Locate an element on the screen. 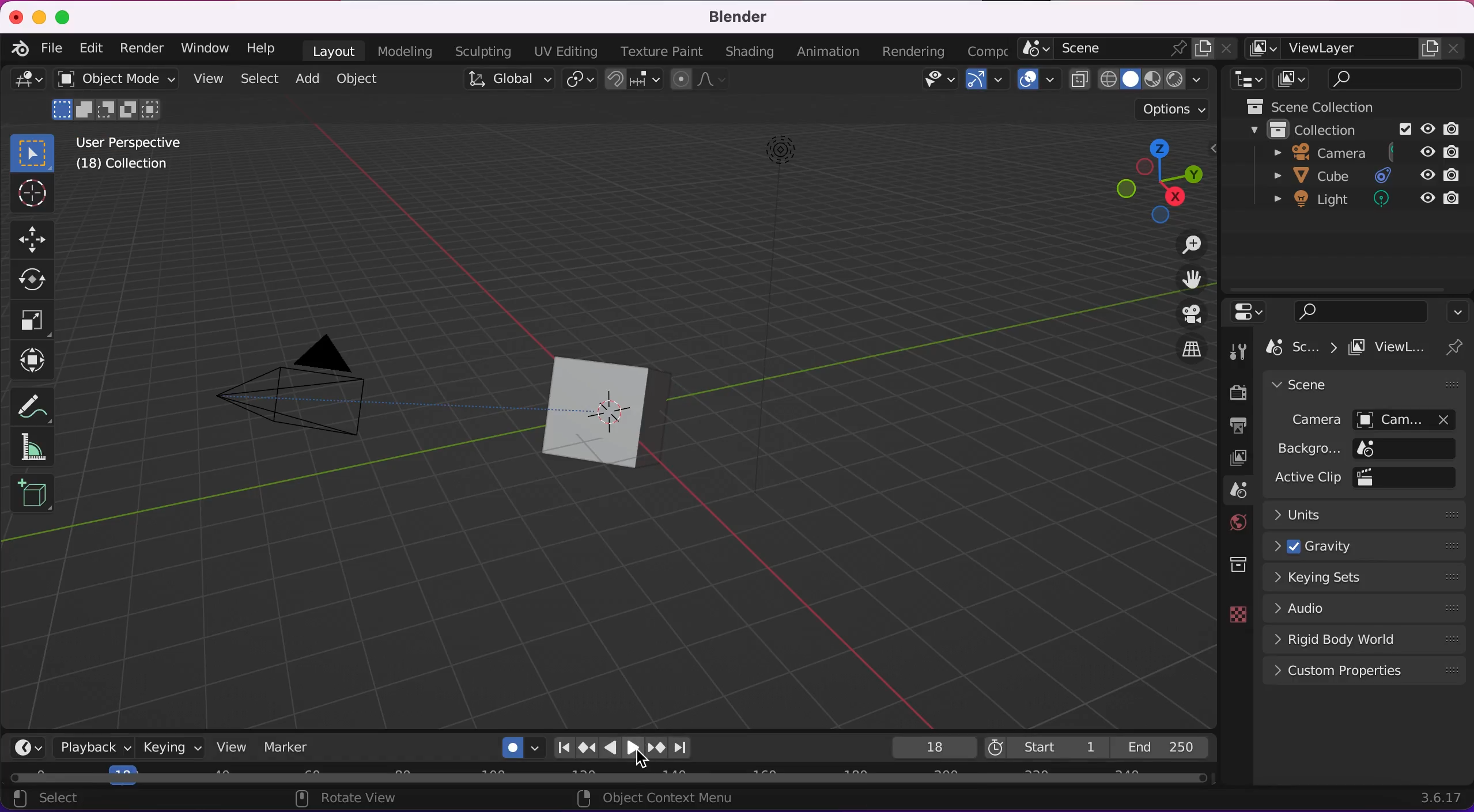  render is located at coordinates (138, 50).